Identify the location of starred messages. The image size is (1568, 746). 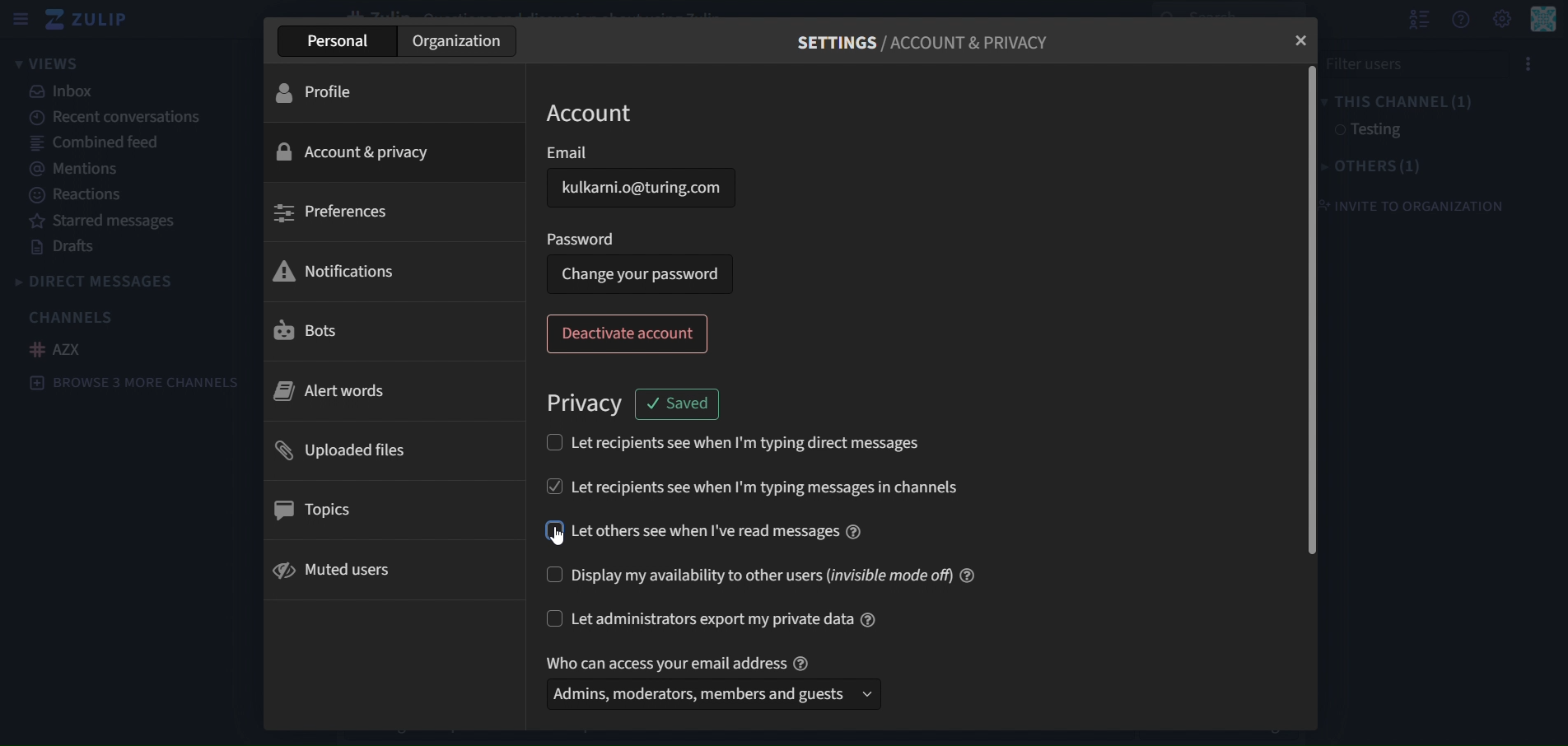
(105, 221).